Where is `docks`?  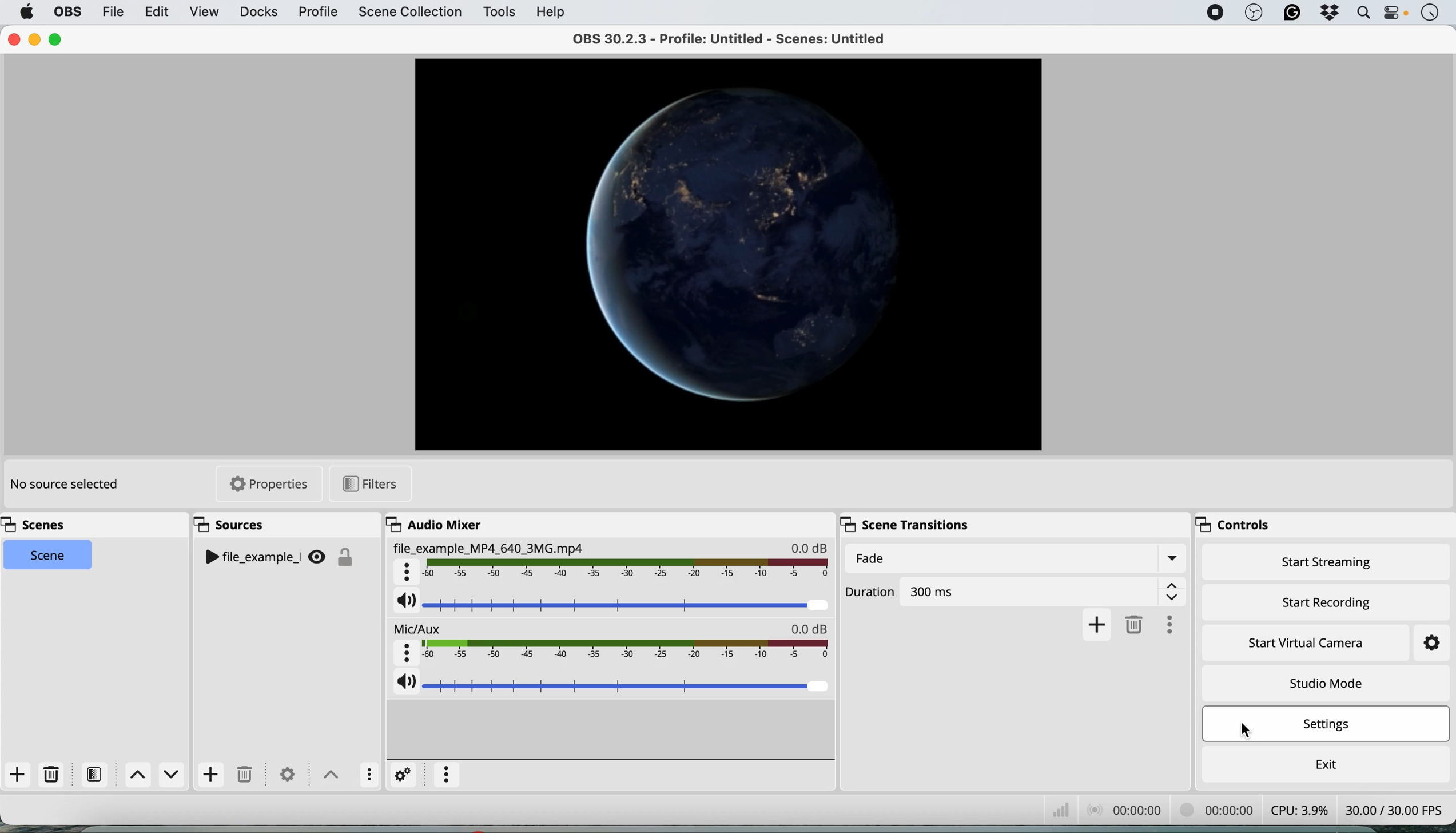
docks is located at coordinates (258, 12).